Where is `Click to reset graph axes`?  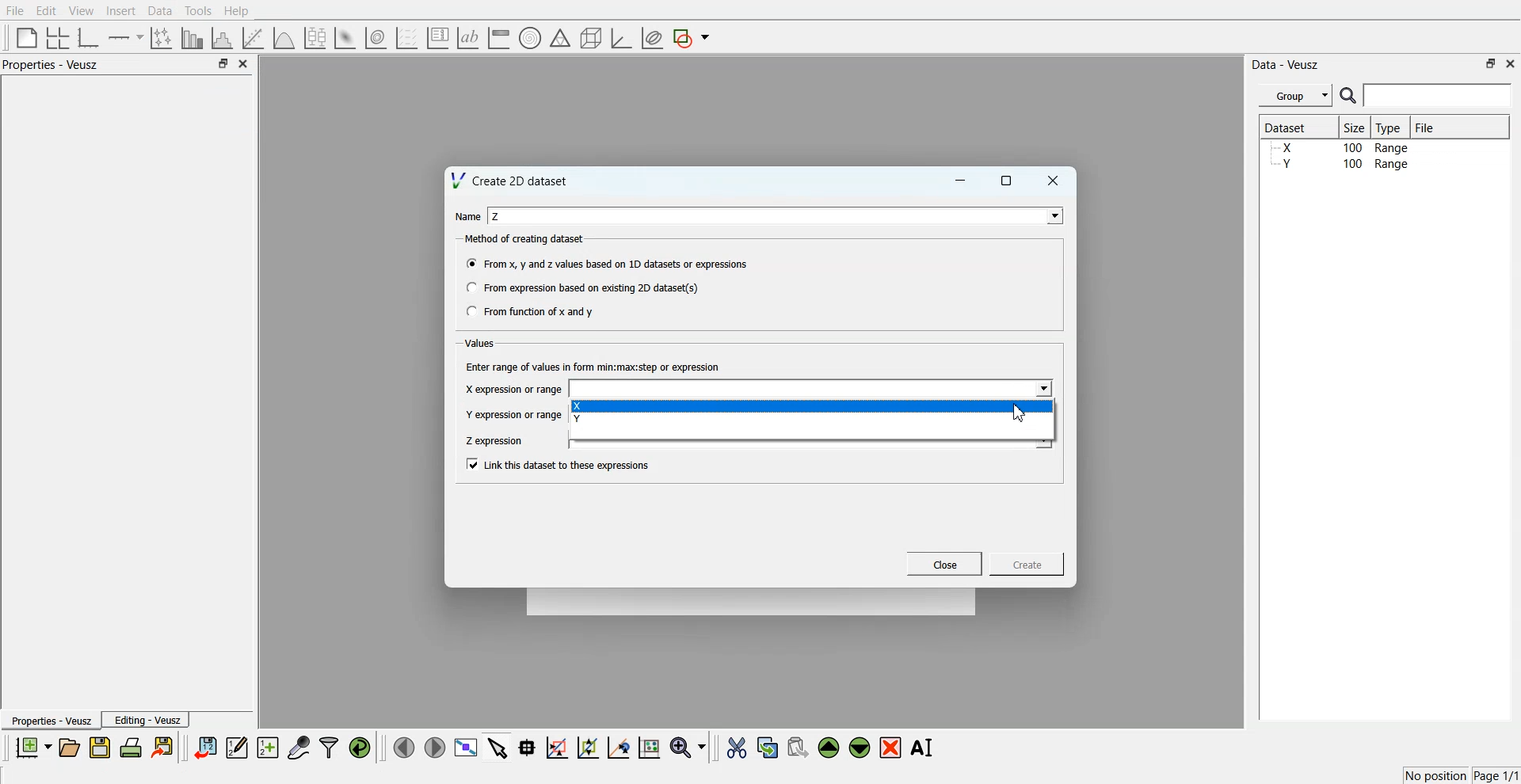
Click to reset graph axes is located at coordinates (649, 746).